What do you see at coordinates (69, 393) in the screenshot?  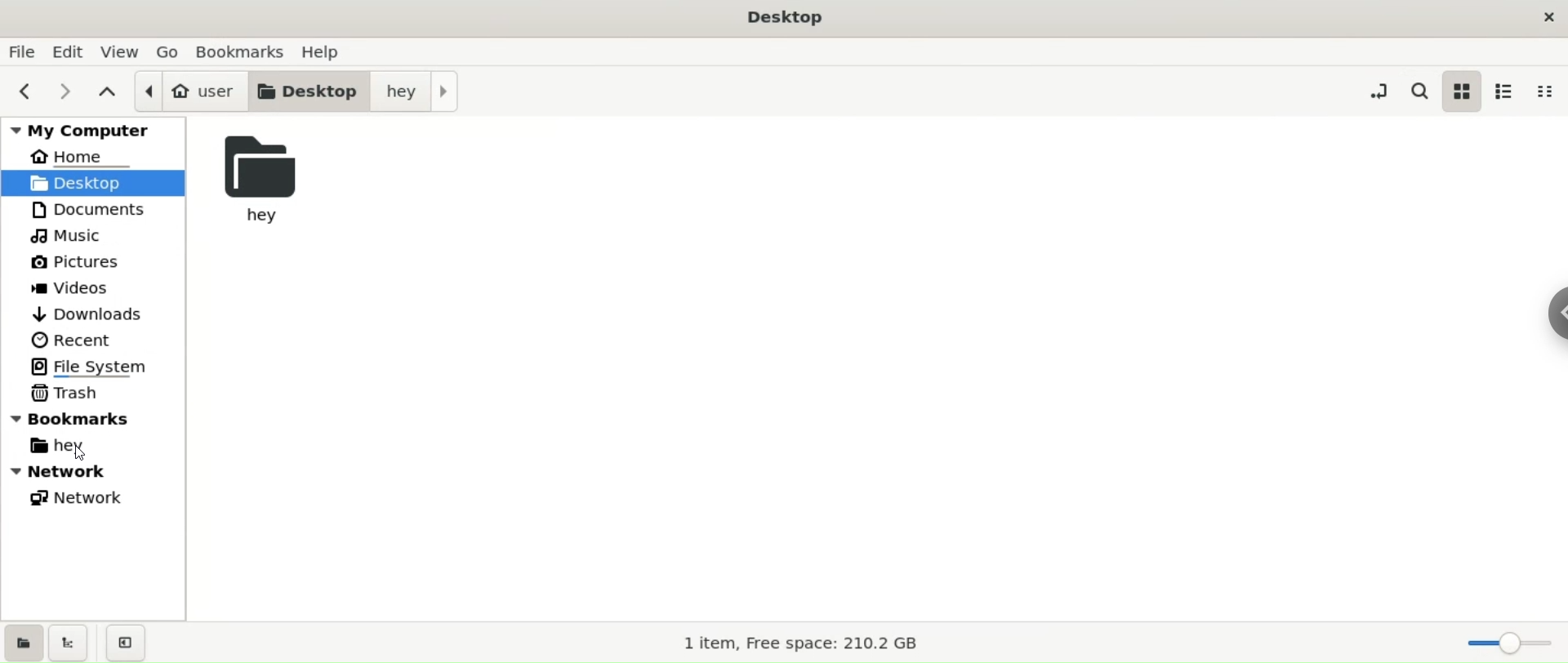 I see `trash` at bounding box center [69, 393].